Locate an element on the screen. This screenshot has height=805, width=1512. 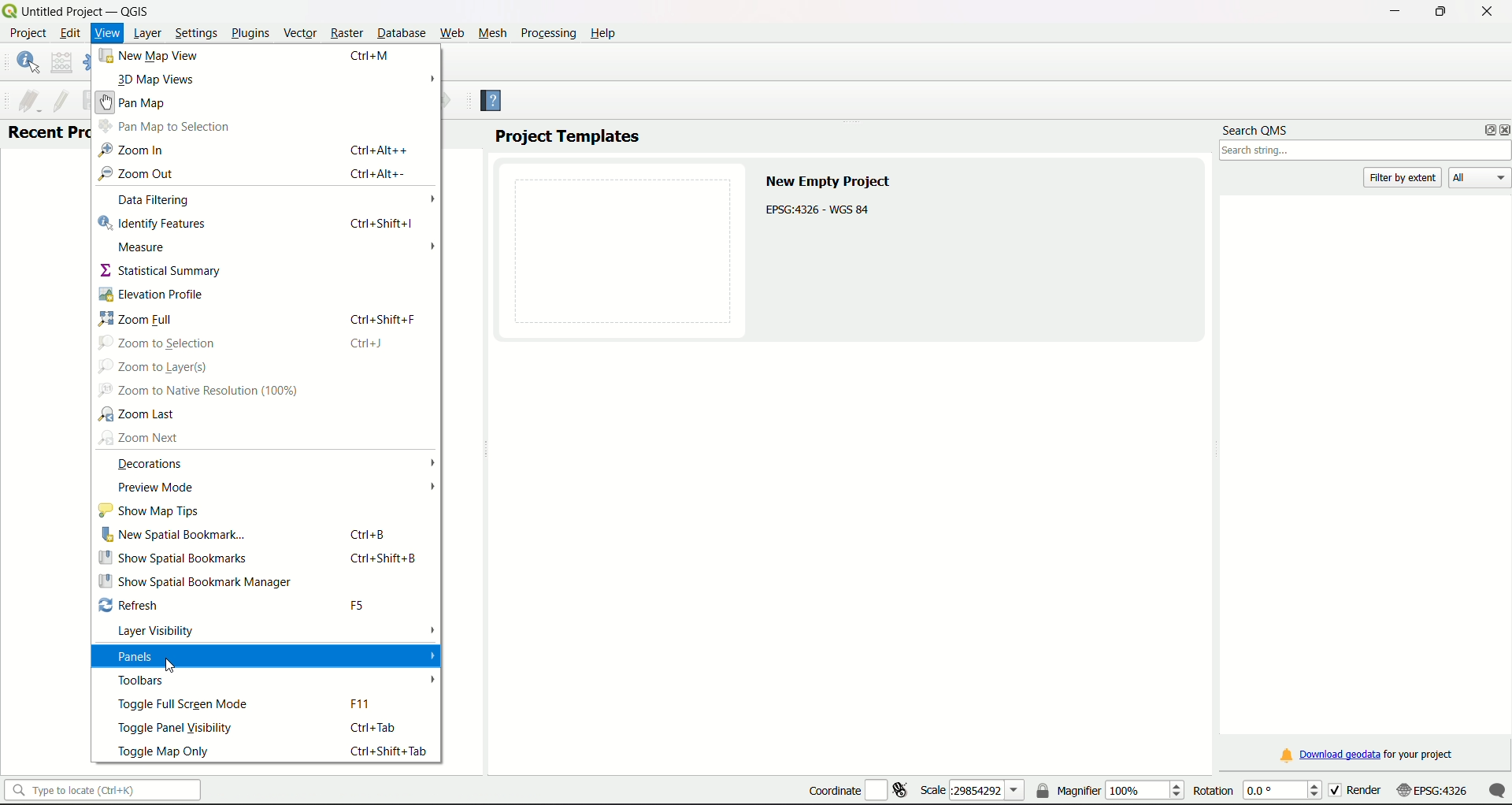
new spatial bookmark is located at coordinates (174, 534).